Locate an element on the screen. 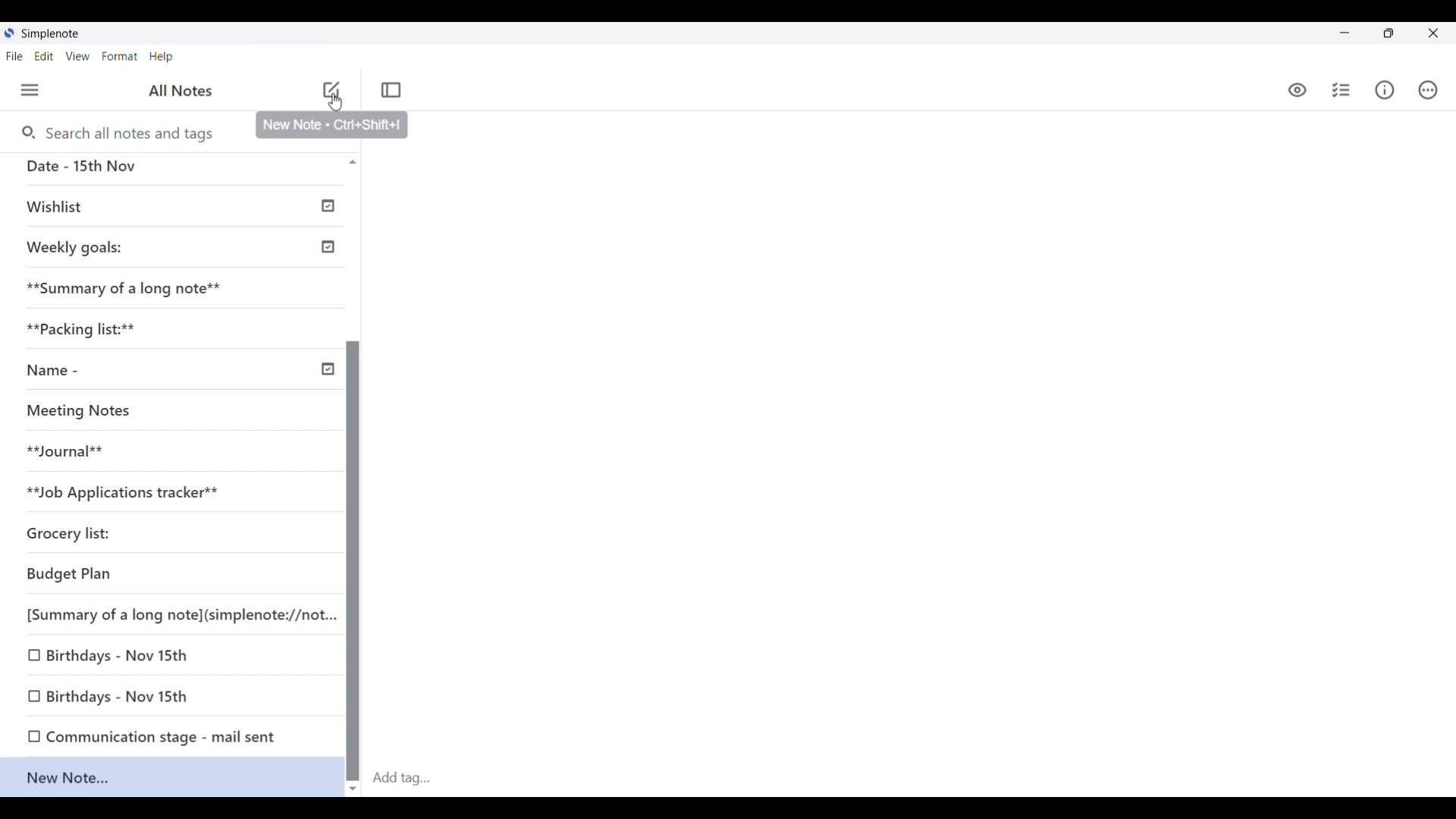 The width and height of the screenshot is (1456, 819). New Note « Ctri+Shift+| is located at coordinates (330, 124).